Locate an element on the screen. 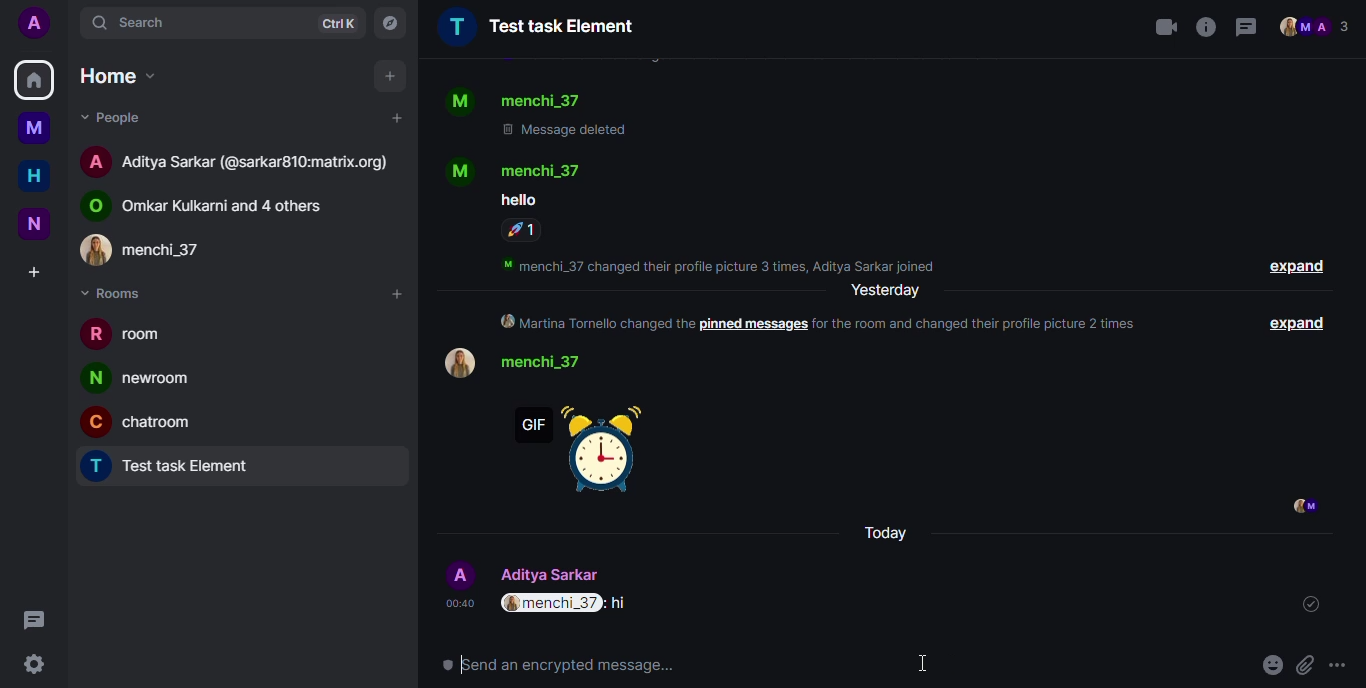 Image resolution: width=1366 pixels, height=688 pixels. expand is located at coordinates (1300, 266).